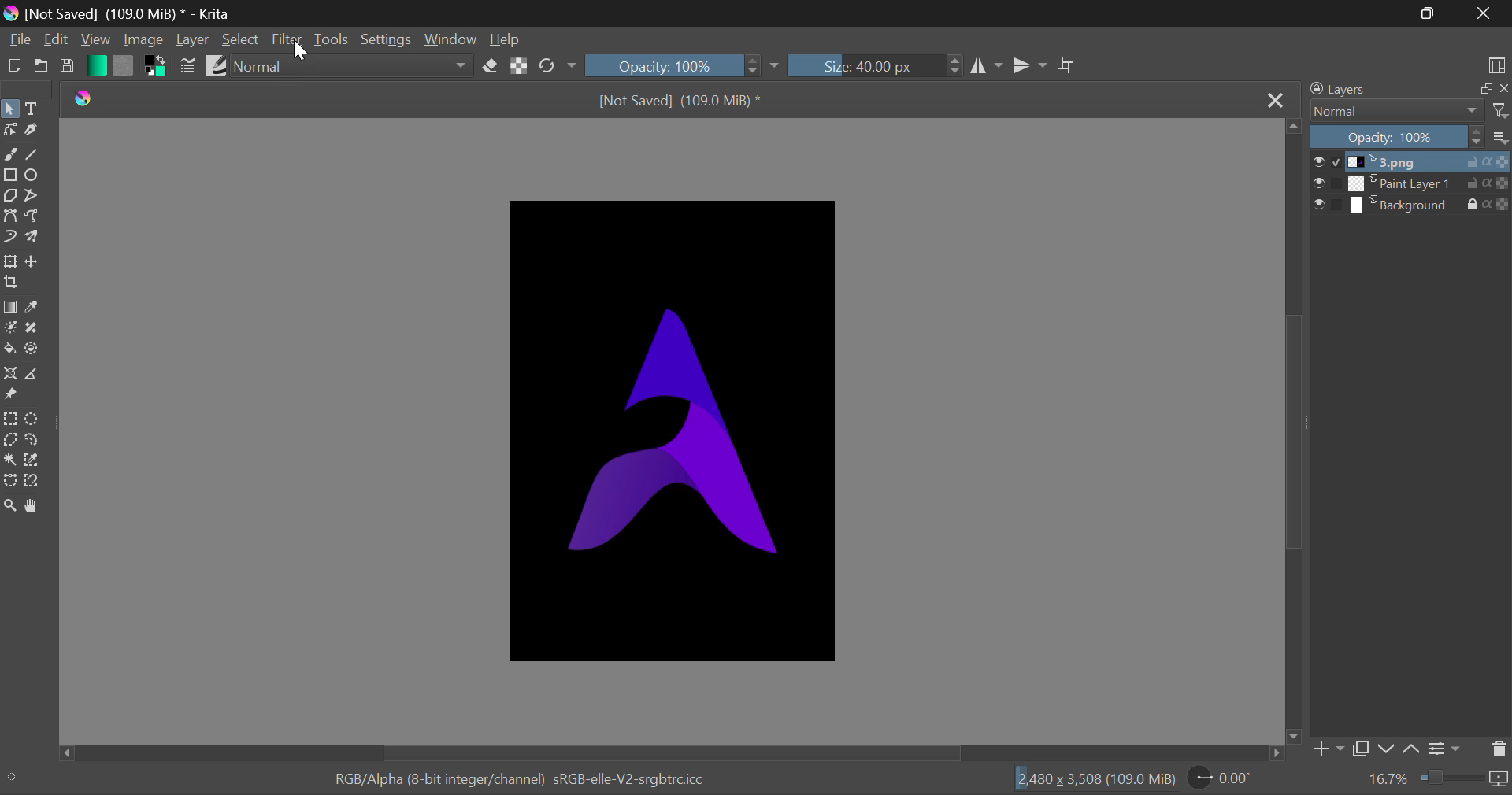 The image size is (1512, 795). What do you see at coordinates (34, 176) in the screenshot?
I see `Ellipses` at bounding box center [34, 176].